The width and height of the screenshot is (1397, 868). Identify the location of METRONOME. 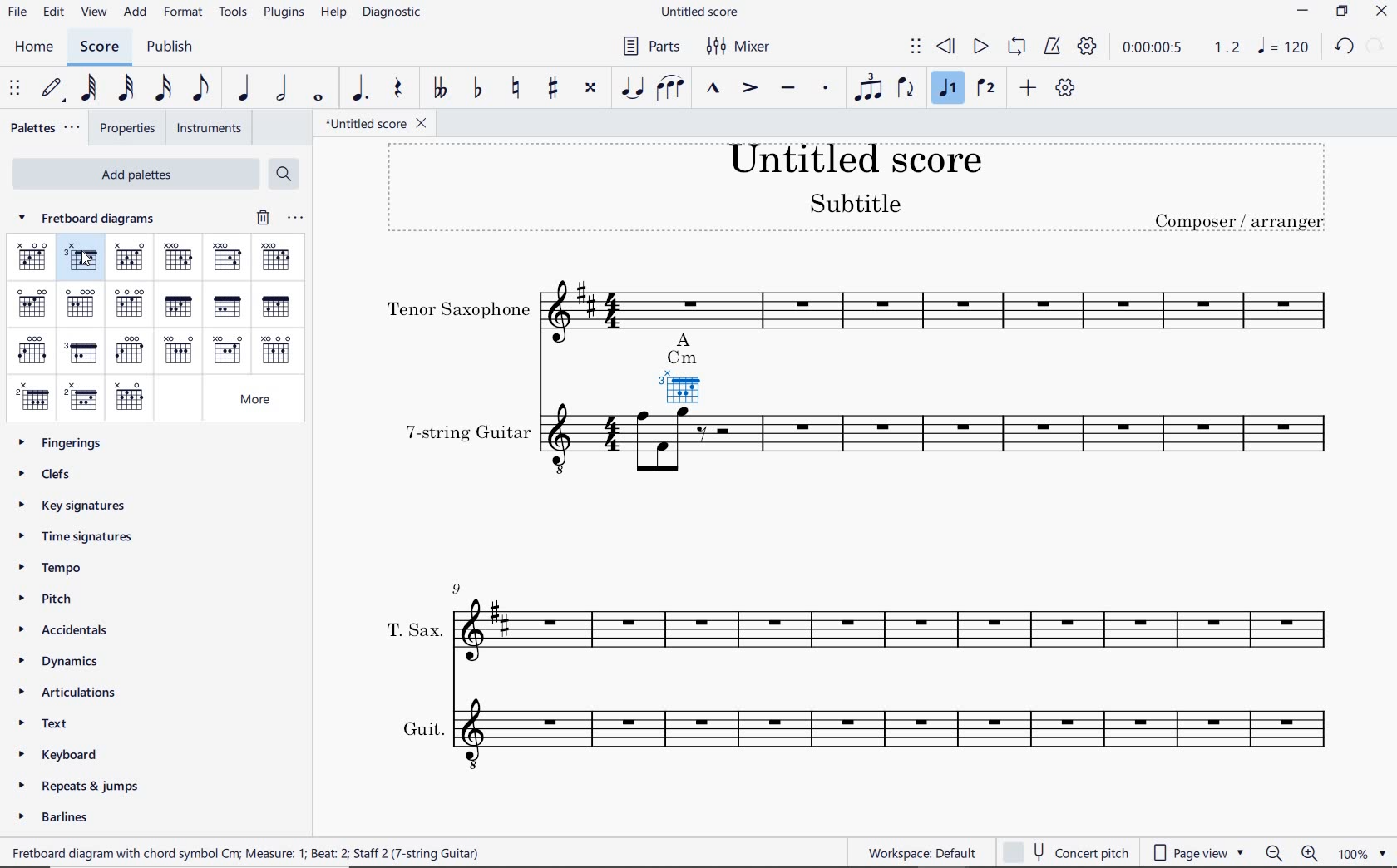
(1052, 47).